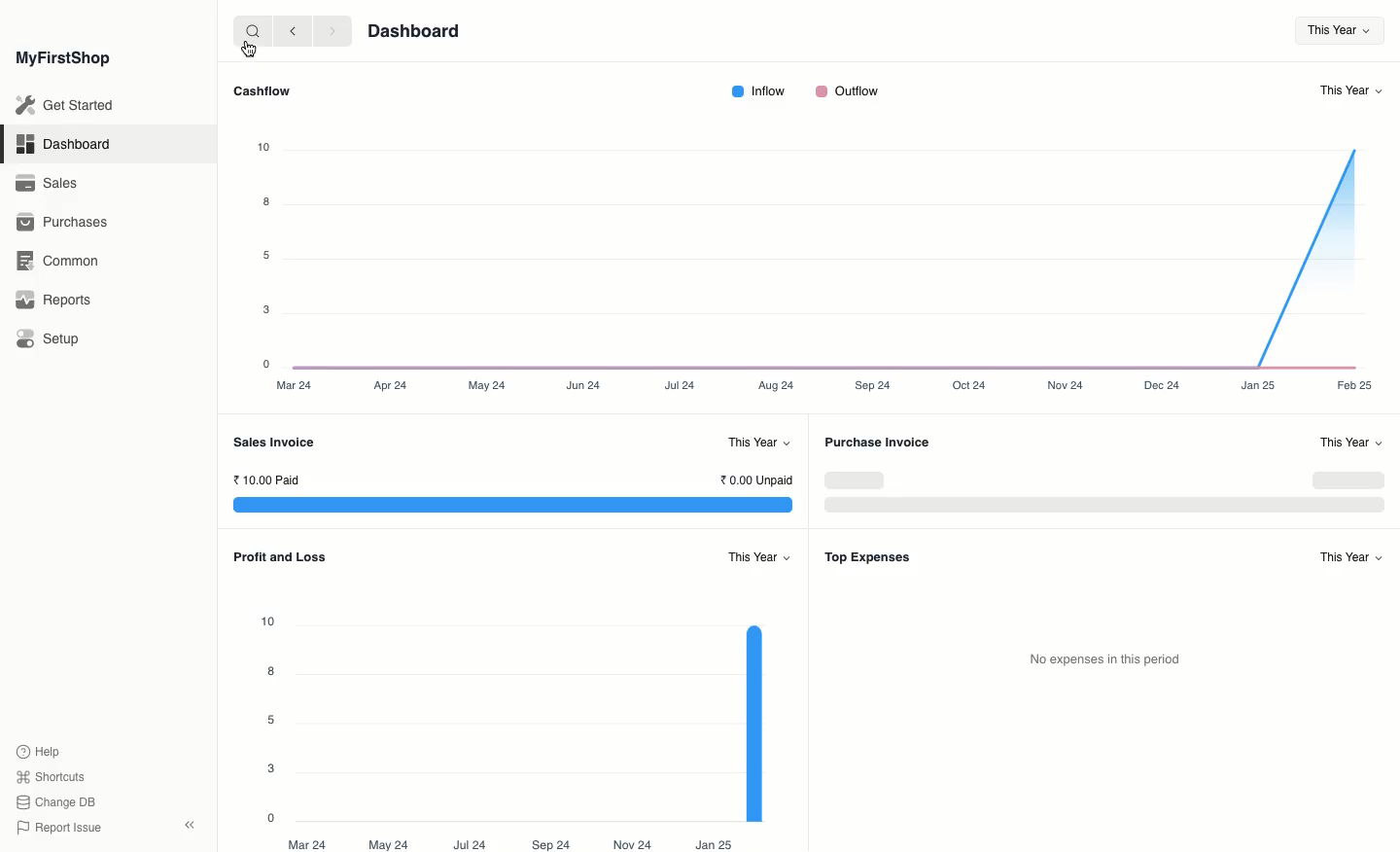 The height and width of the screenshot is (852, 1400). What do you see at coordinates (1104, 658) in the screenshot?
I see `‘No expenses in this period` at bounding box center [1104, 658].